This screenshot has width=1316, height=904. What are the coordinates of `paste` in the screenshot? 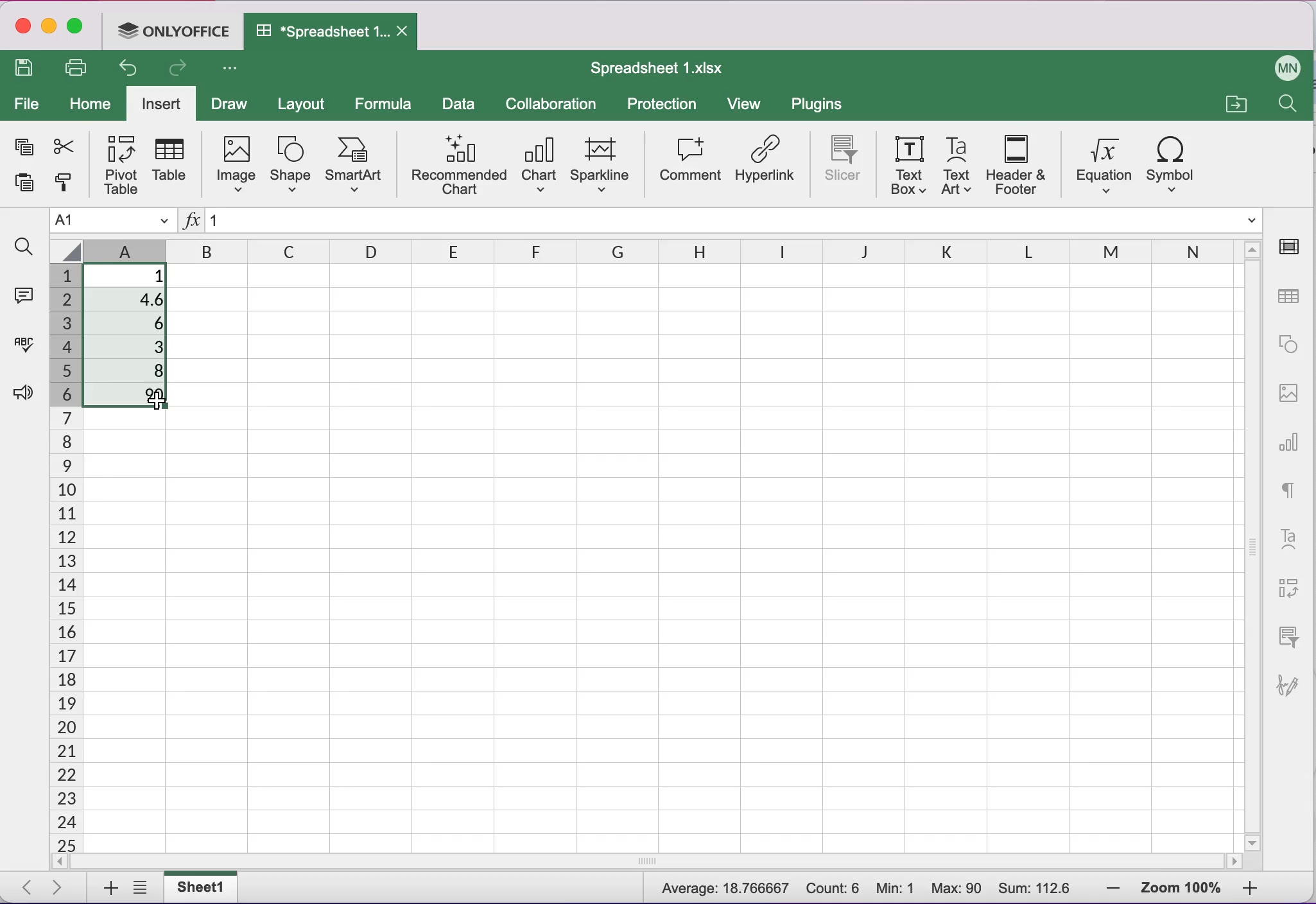 It's located at (24, 185).